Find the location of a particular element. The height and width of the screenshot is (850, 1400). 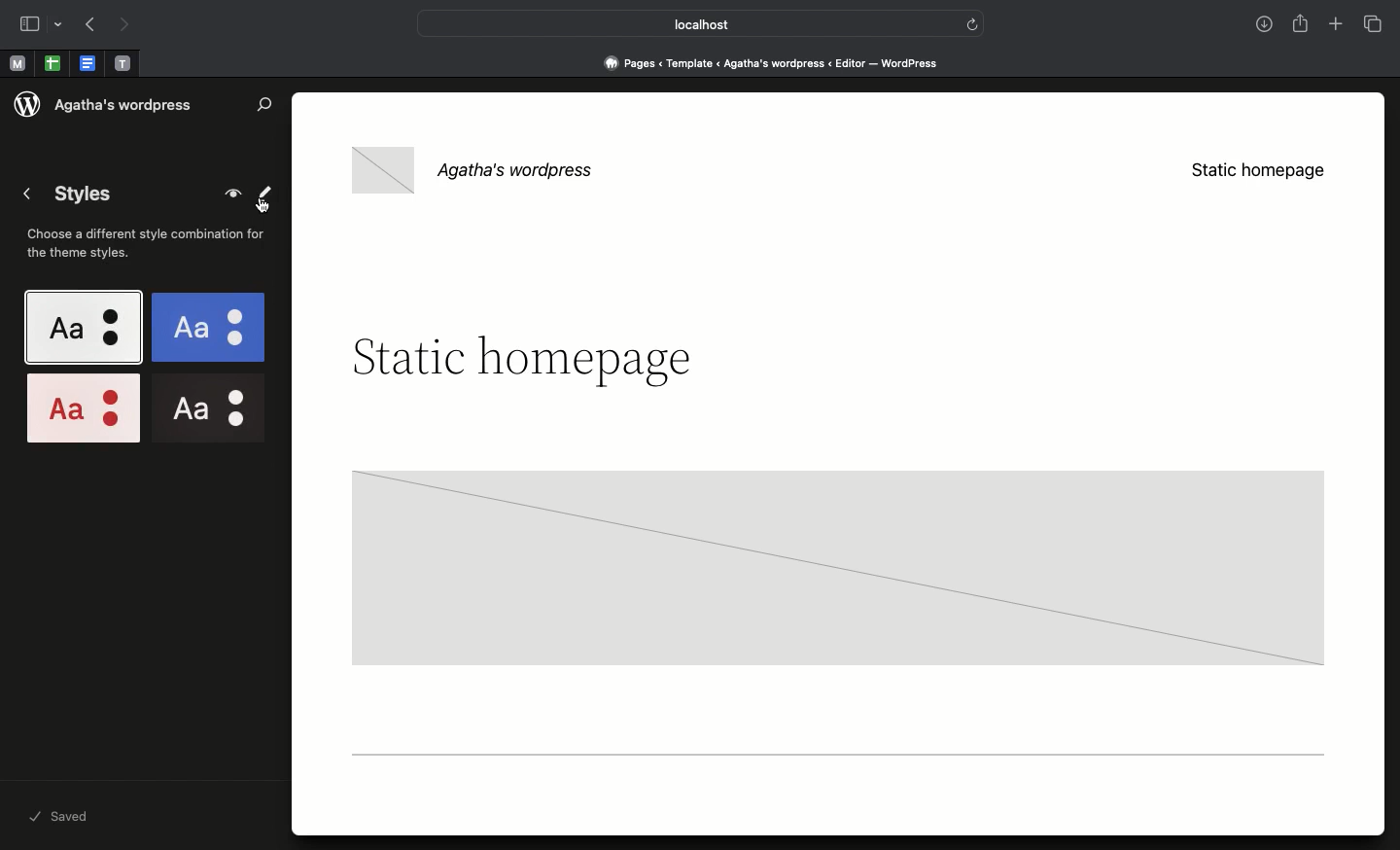

Share is located at coordinates (1302, 23).